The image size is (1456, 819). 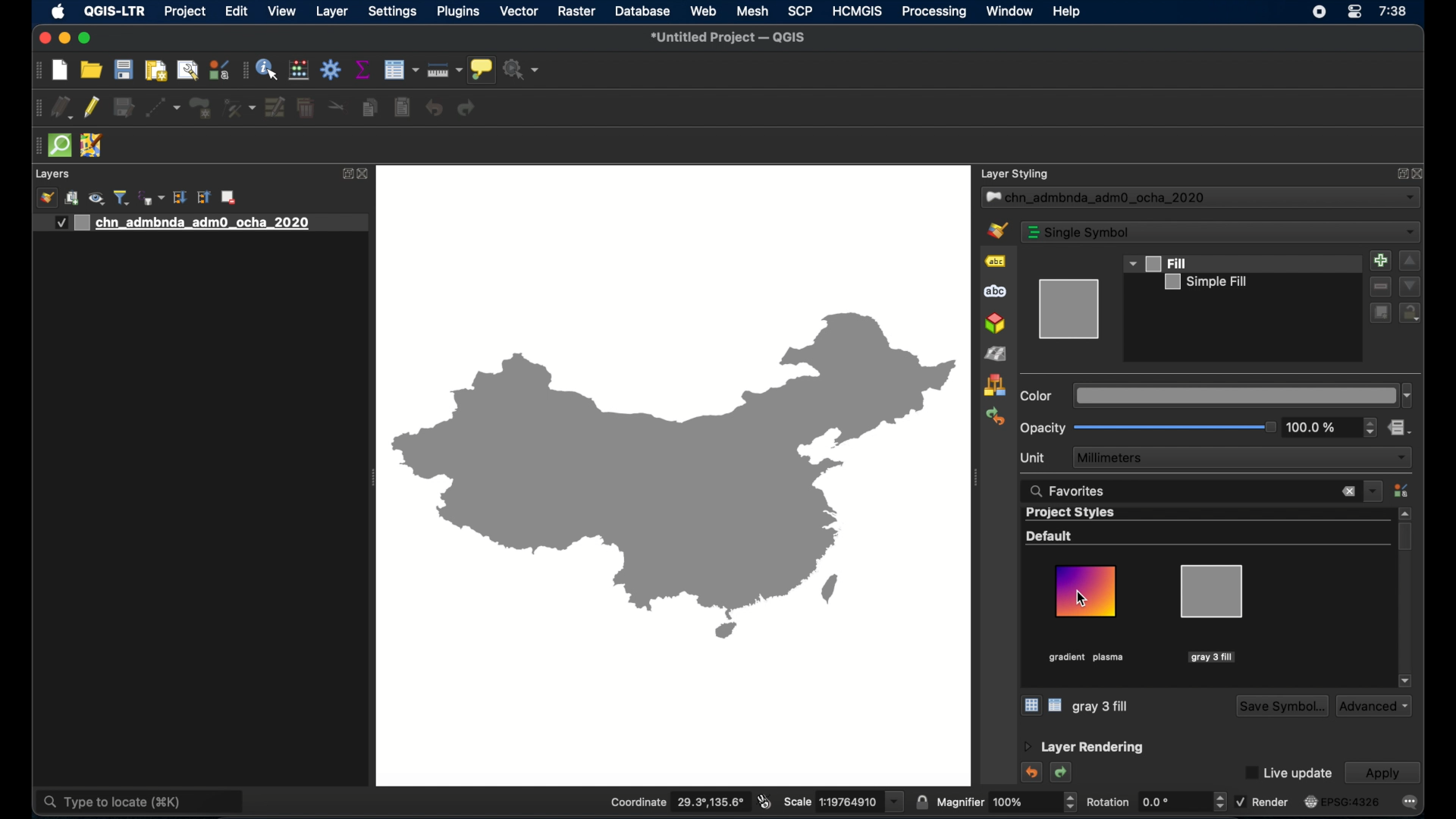 What do you see at coordinates (1405, 513) in the screenshot?
I see `scroll up arrow` at bounding box center [1405, 513].